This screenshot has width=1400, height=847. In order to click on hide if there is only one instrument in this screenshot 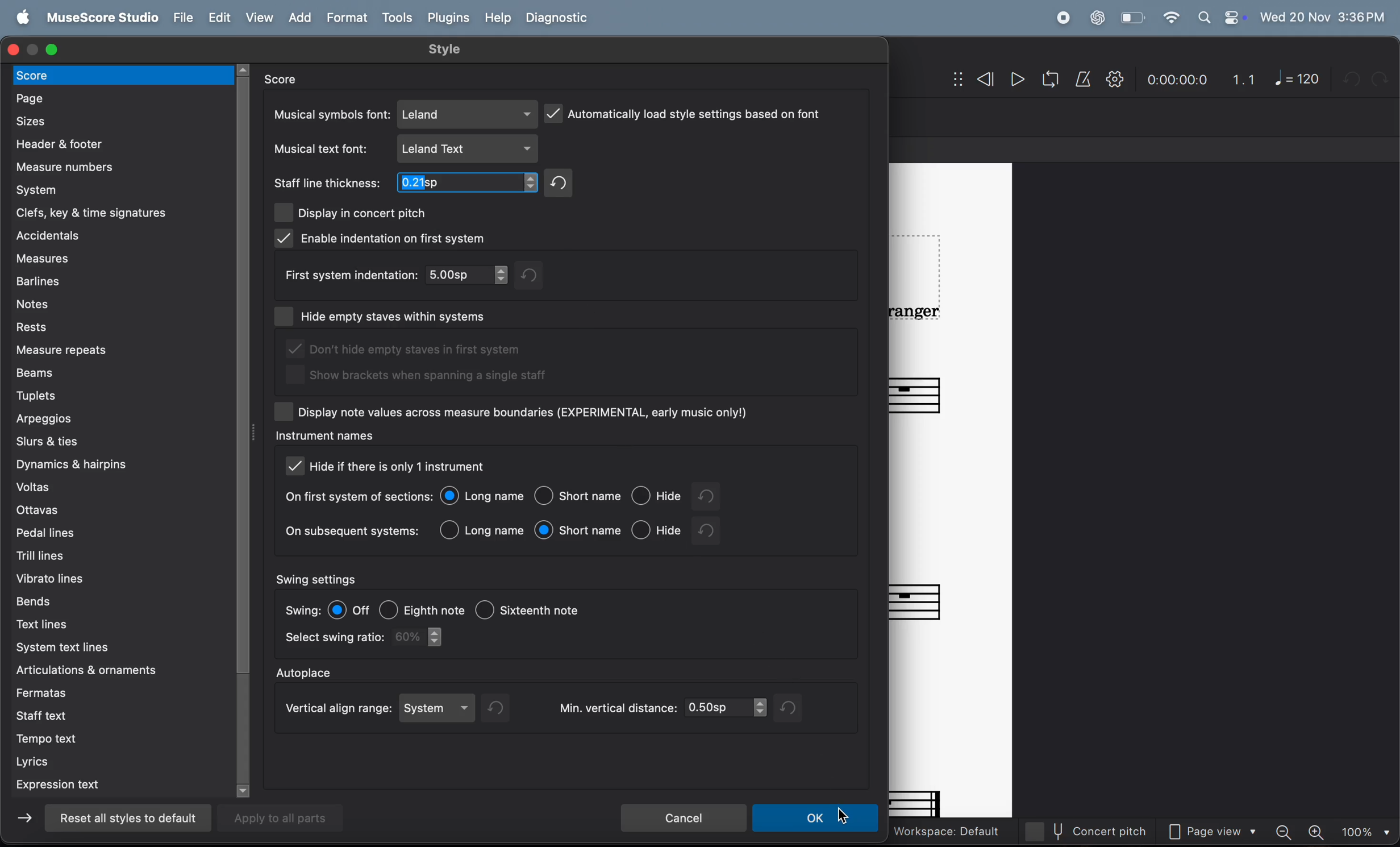, I will do `click(408, 468)`.